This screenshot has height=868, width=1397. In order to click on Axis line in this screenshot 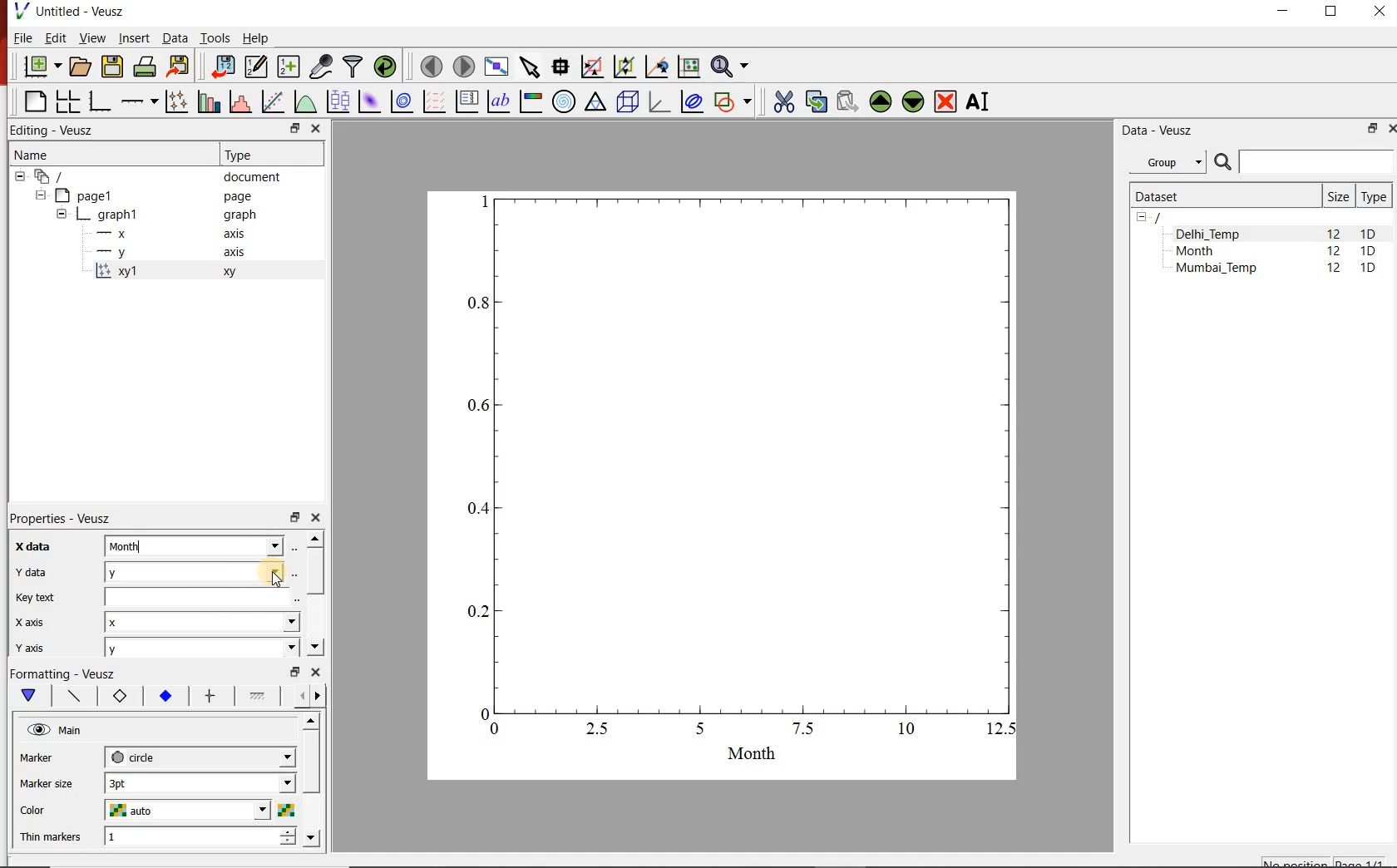, I will do `click(72, 696)`.